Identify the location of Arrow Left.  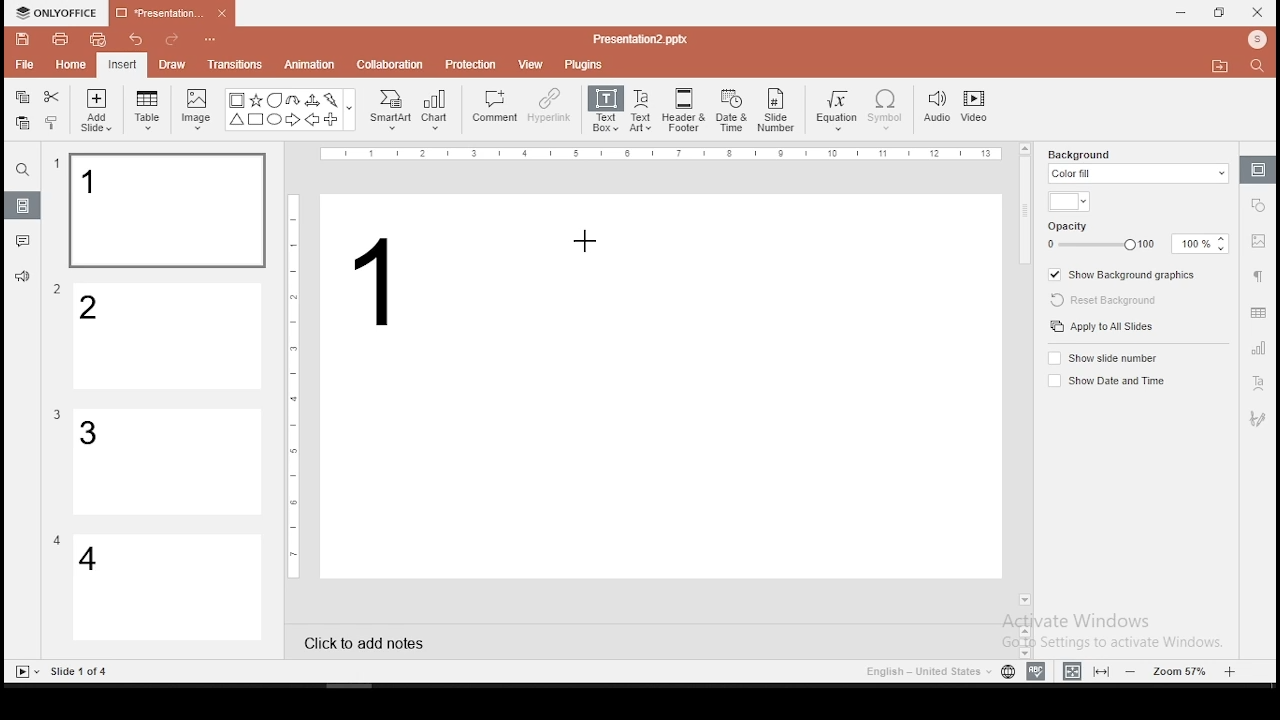
(312, 120).